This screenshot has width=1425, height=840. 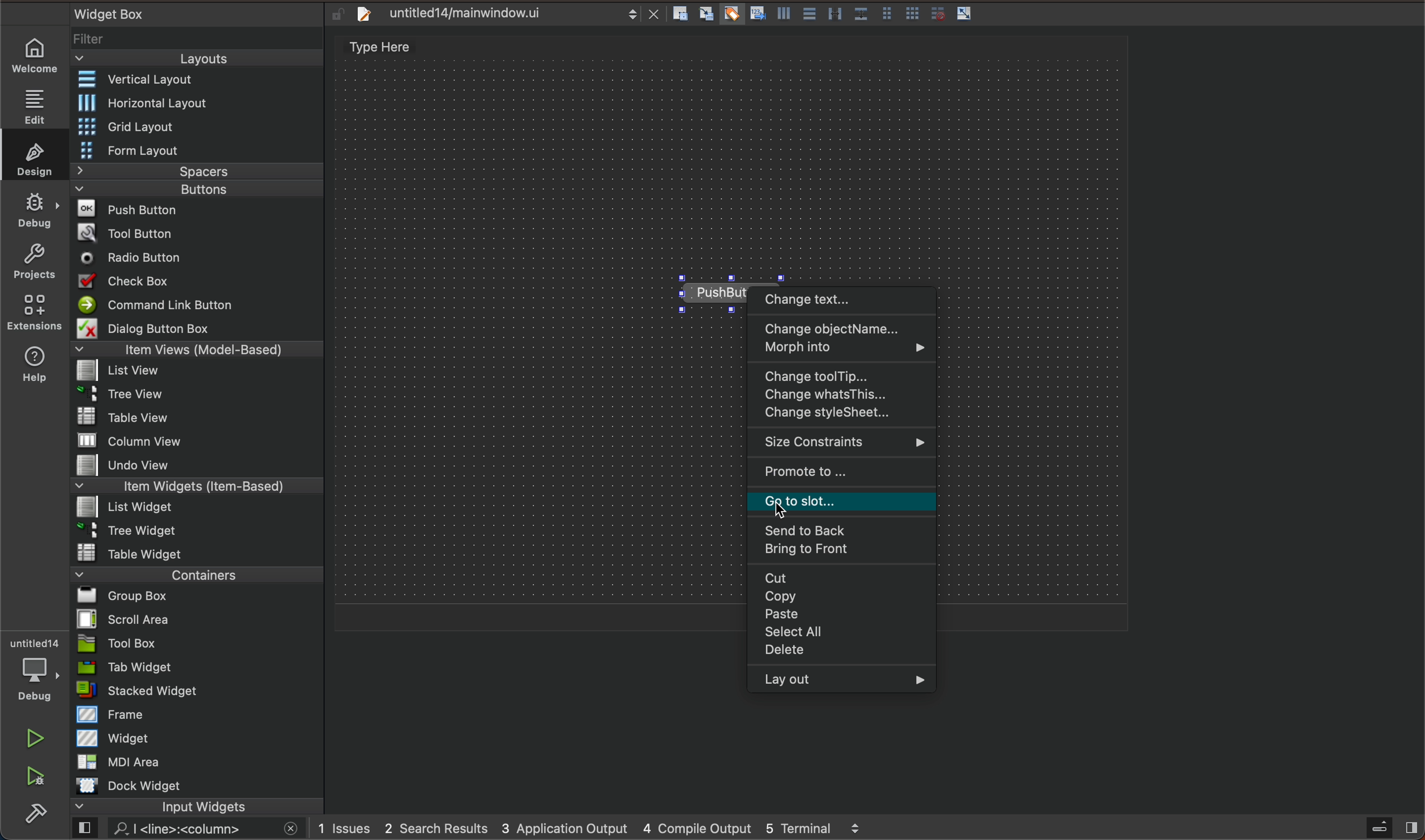 I want to click on Extensions, so click(x=31, y=312).